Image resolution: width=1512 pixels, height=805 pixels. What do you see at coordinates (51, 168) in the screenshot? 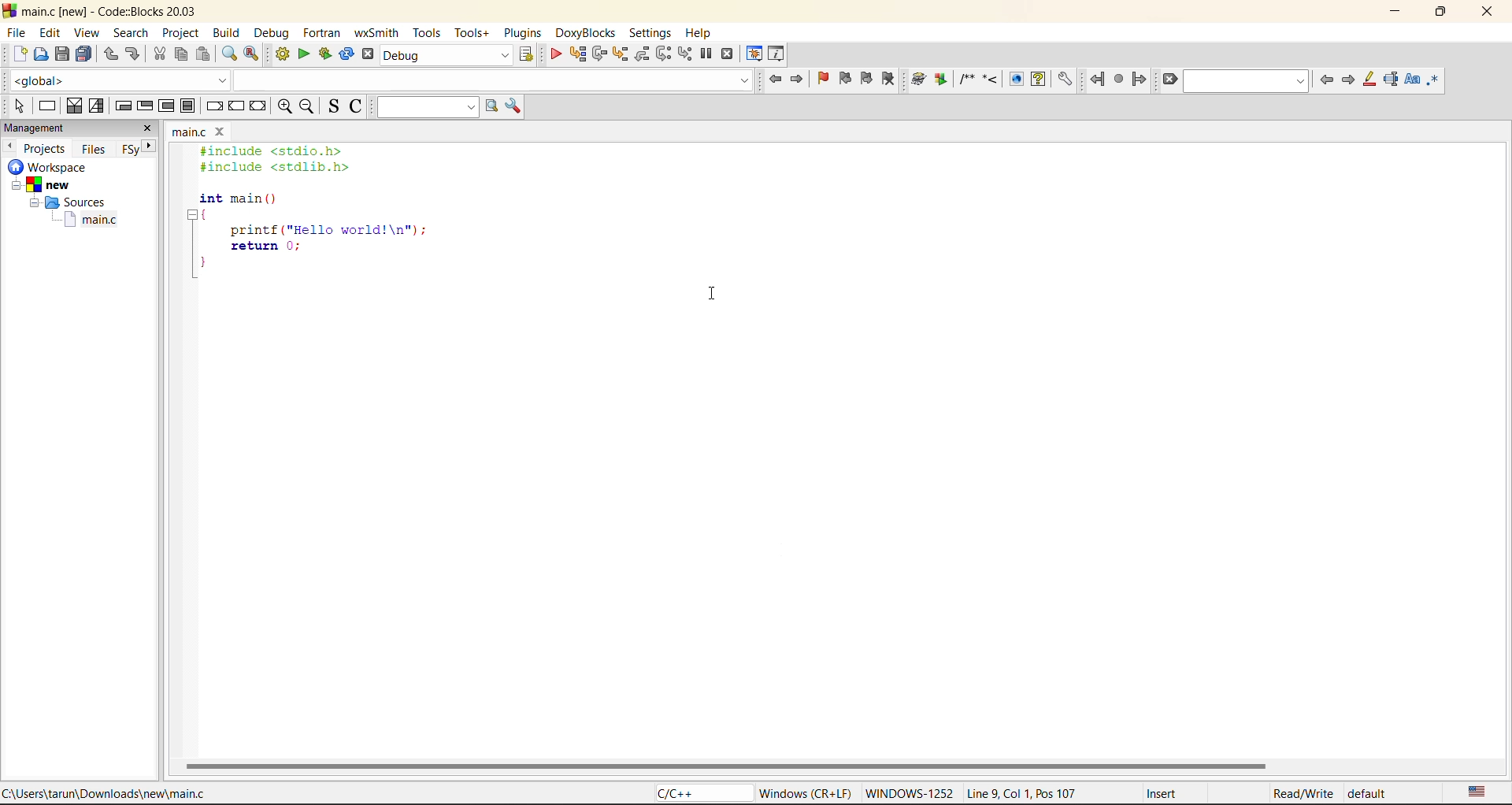
I see `workspace` at bounding box center [51, 168].